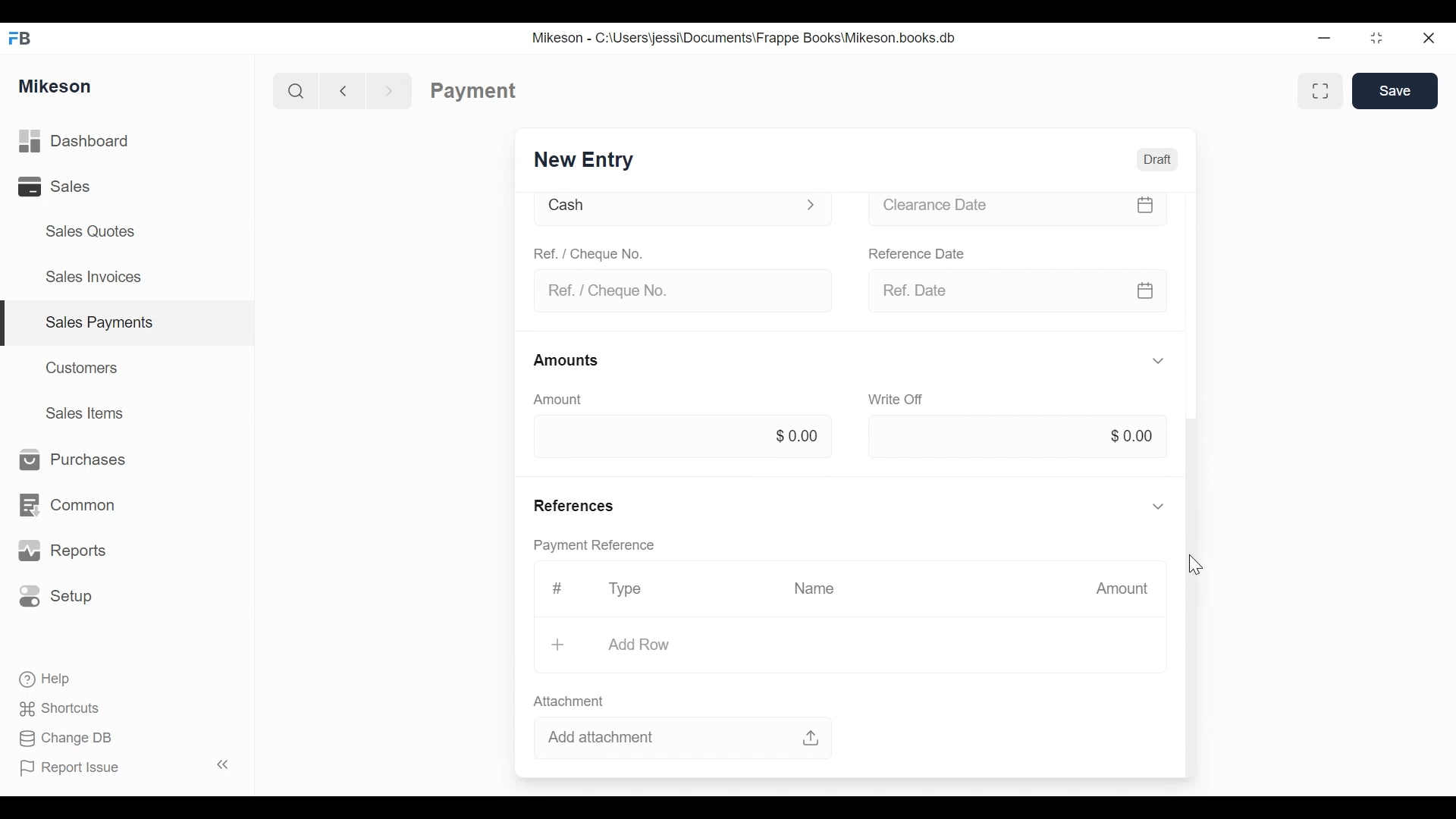 The width and height of the screenshot is (1456, 819). What do you see at coordinates (77, 768) in the screenshot?
I see `Report Issue` at bounding box center [77, 768].